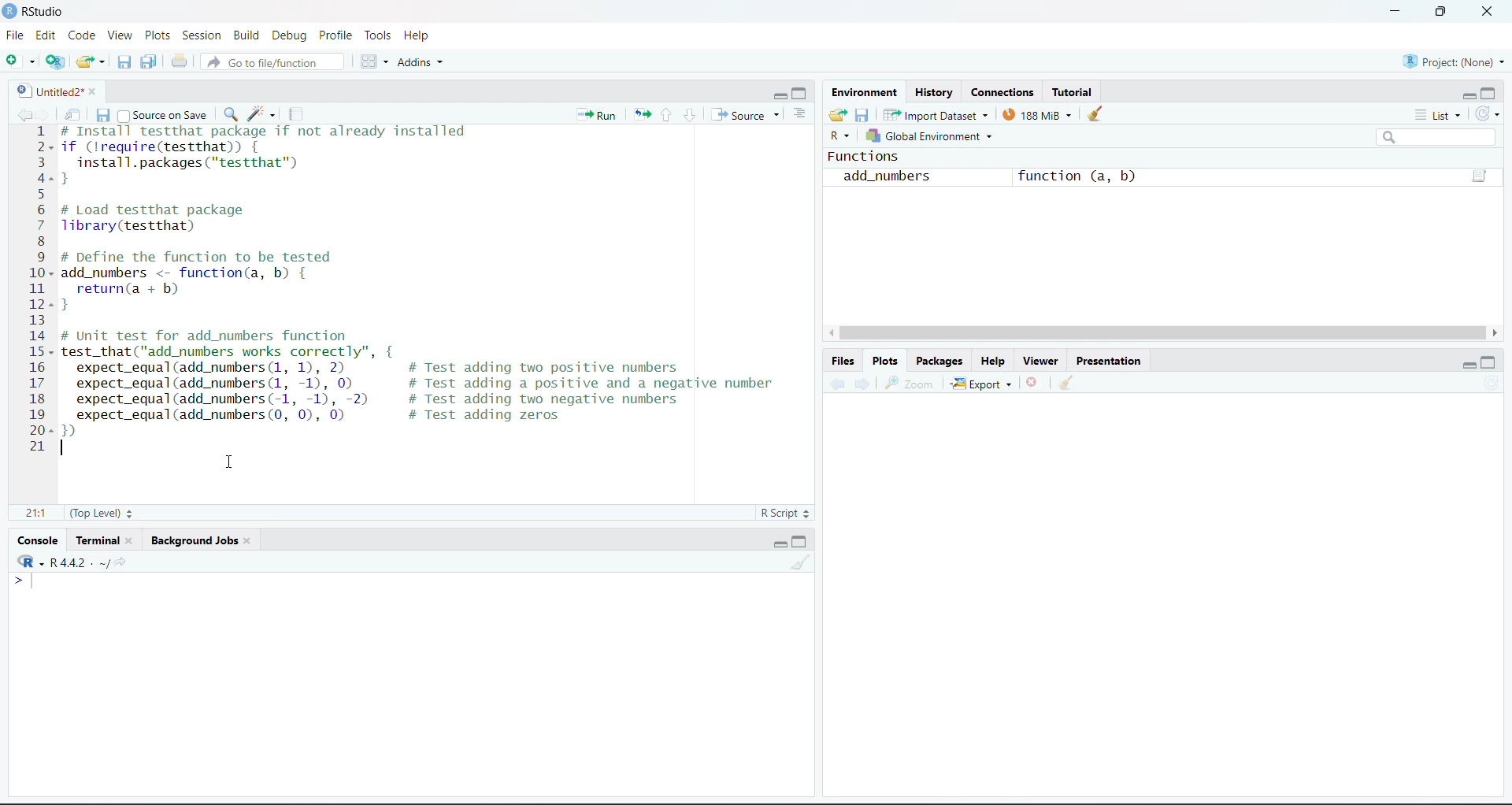  Describe the element at coordinates (1095, 114) in the screenshot. I see `clear` at that location.